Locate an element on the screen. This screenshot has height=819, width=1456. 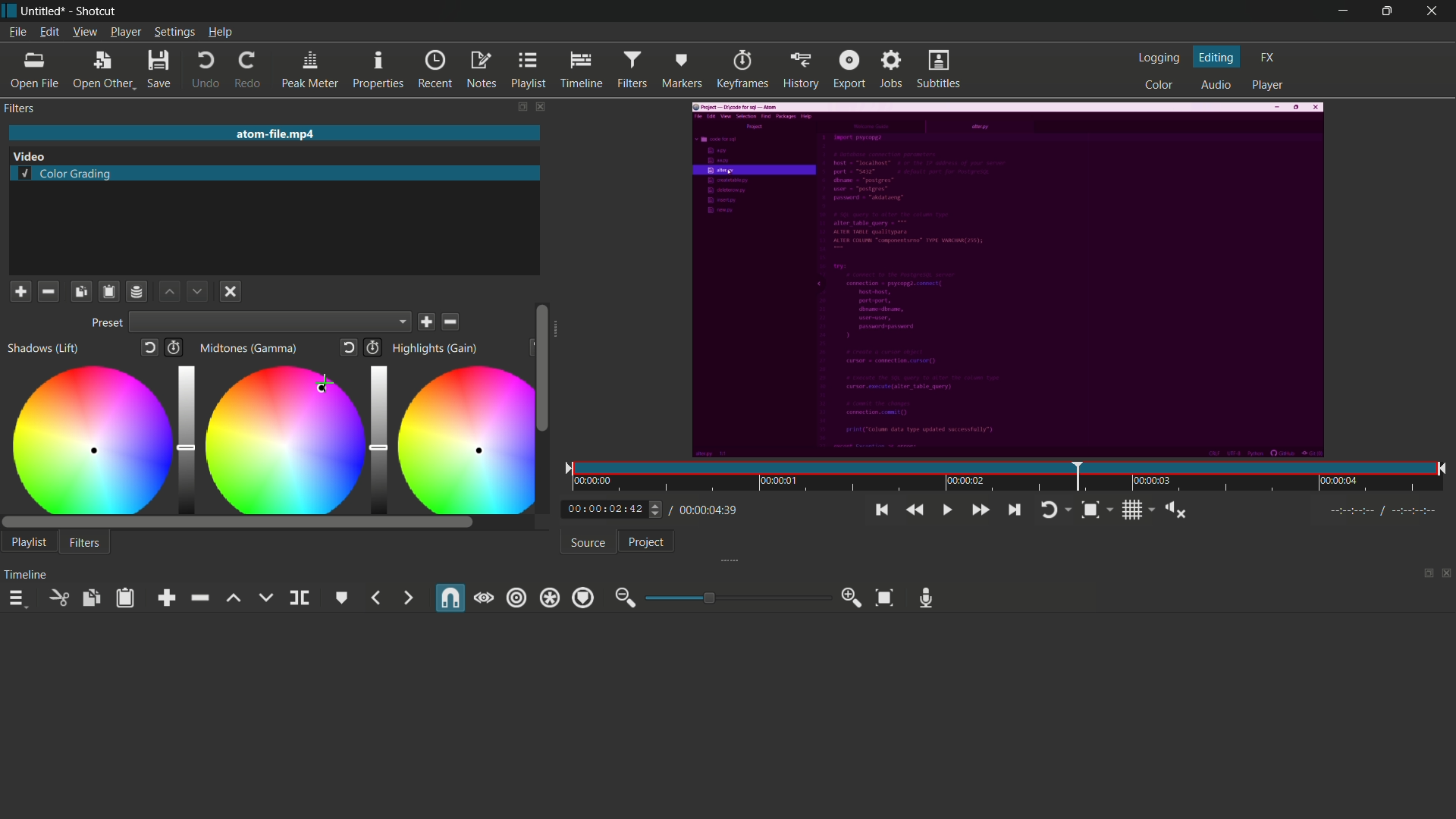
filters is located at coordinates (632, 68).